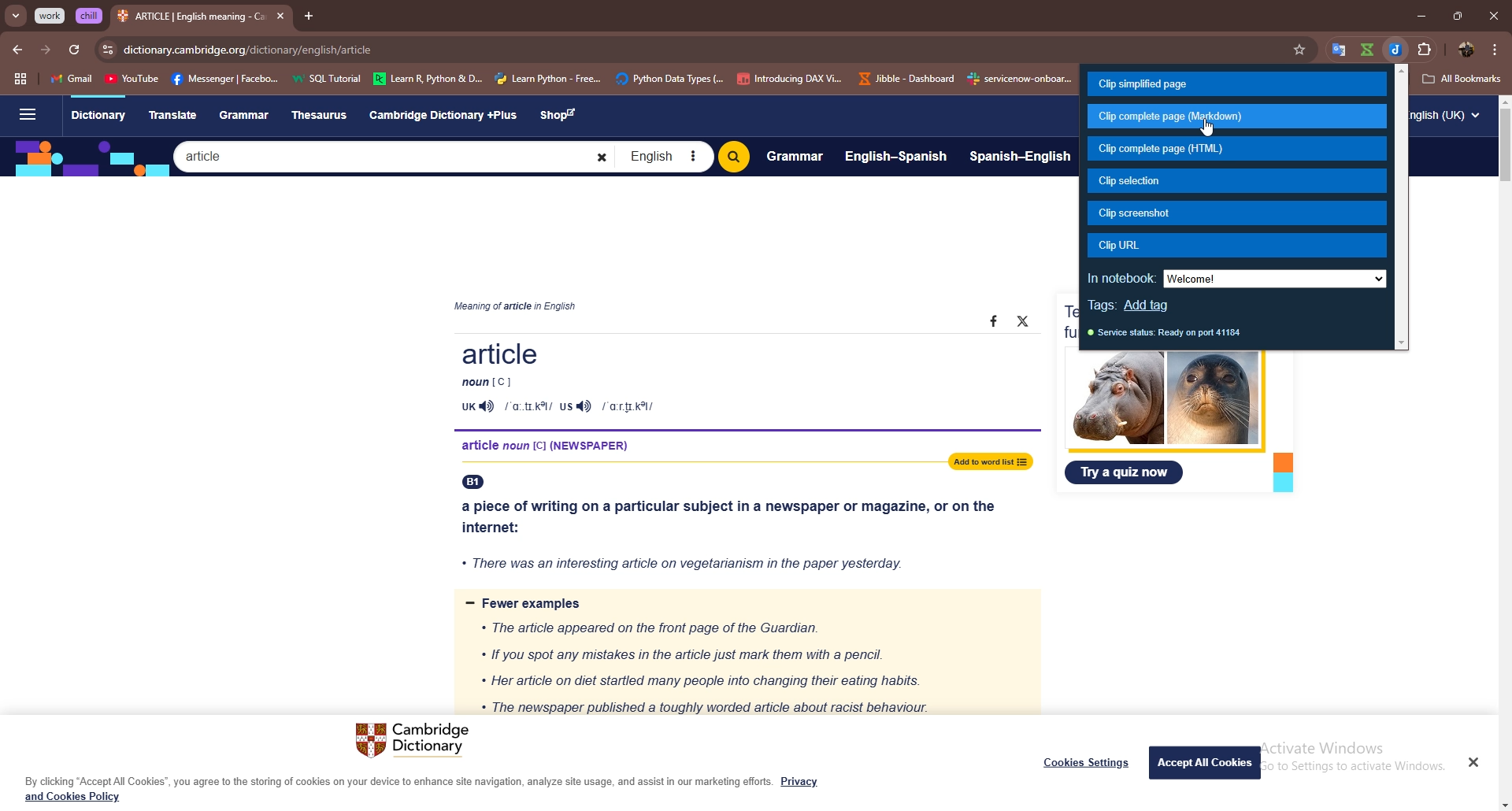 The image size is (1512, 811). What do you see at coordinates (743, 654) in the screenshot?
I see `= Fewer examples
« The article appeared on the front page of the Guardian.
« If you spot any mistakes in the article just mark them with a pencil.
* Her article on diet startled many people into changing their eating habits.
« The newspaper published a toughly worded article about racist behaviour.` at bounding box center [743, 654].